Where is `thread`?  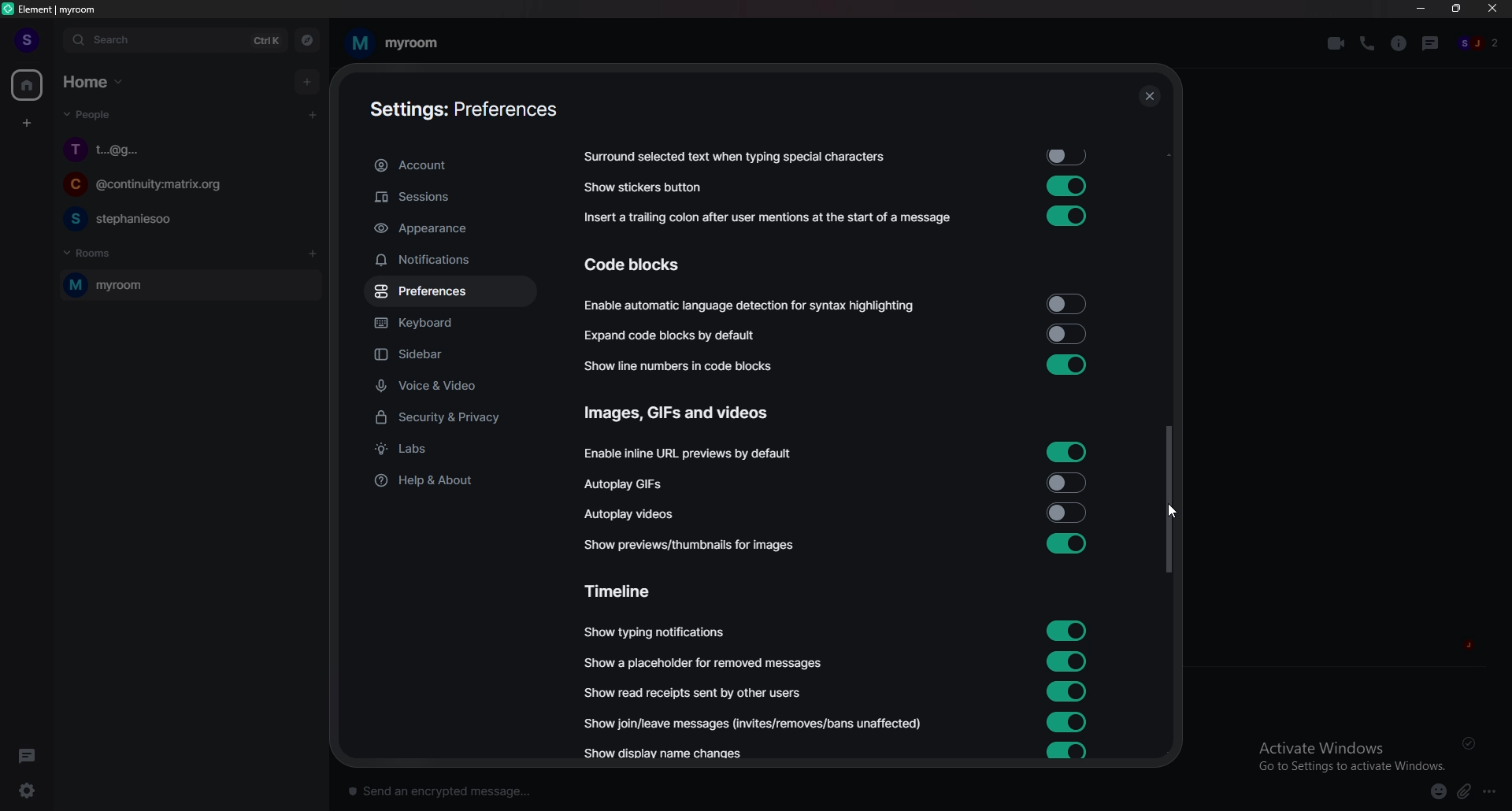 thread is located at coordinates (1432, 43).